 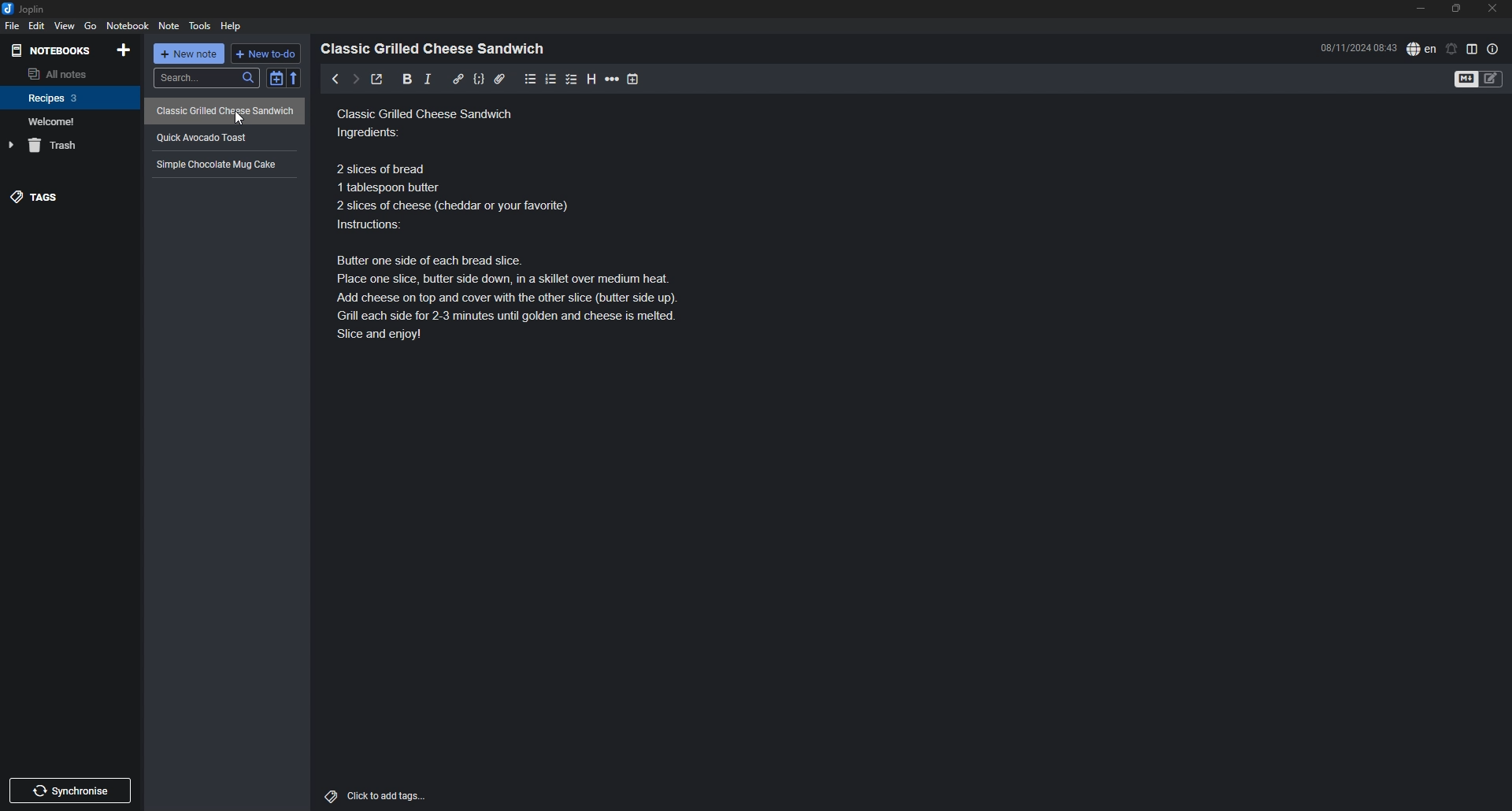 What do you see at coordinates (295, 78) in the screenshot?
I see `reverse sort order` at bounding box center [295, 78].